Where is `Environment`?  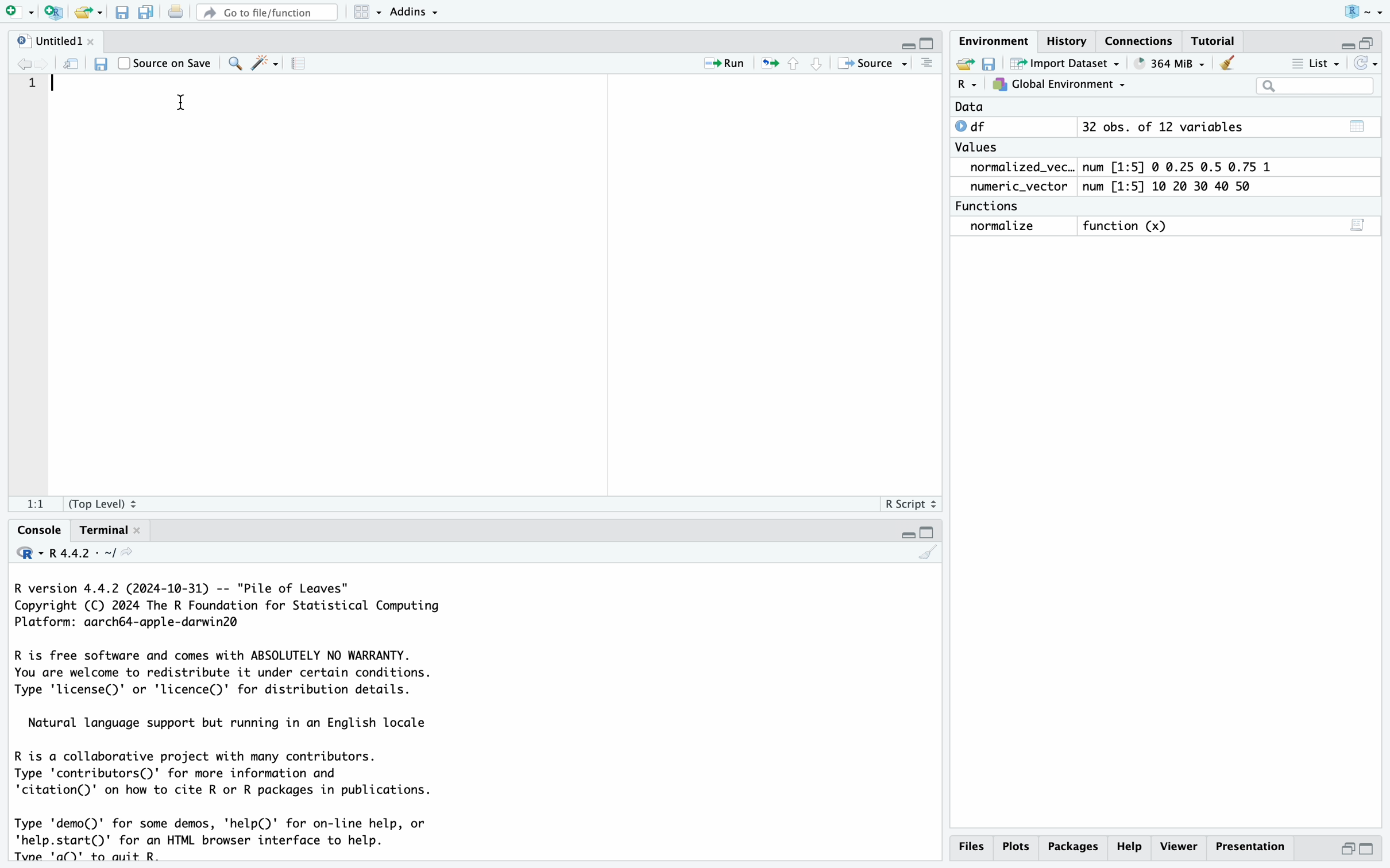
Environment is located at coordinates (993, 41).